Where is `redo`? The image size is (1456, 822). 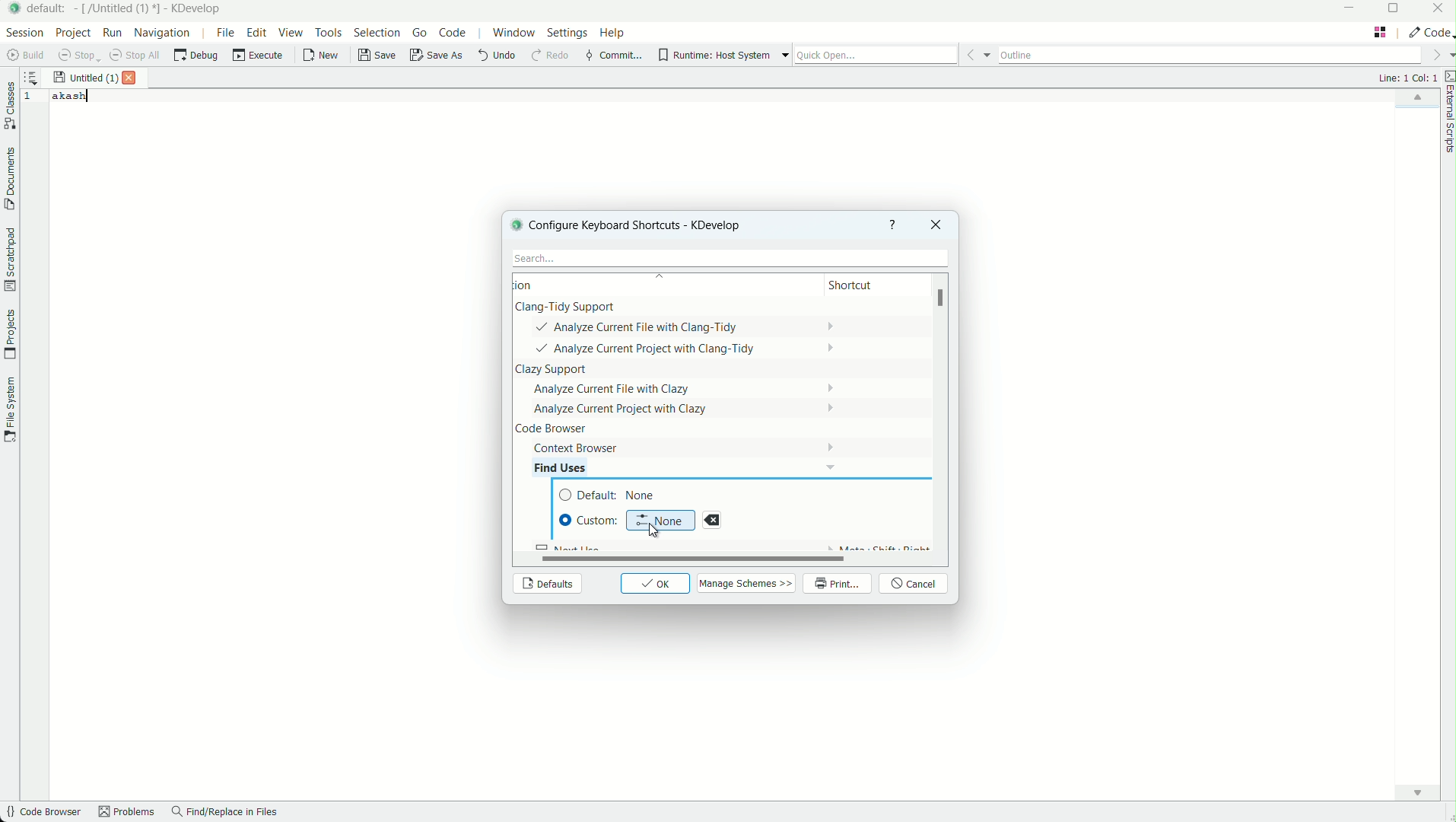
redo is located at coordinates (548, 56).